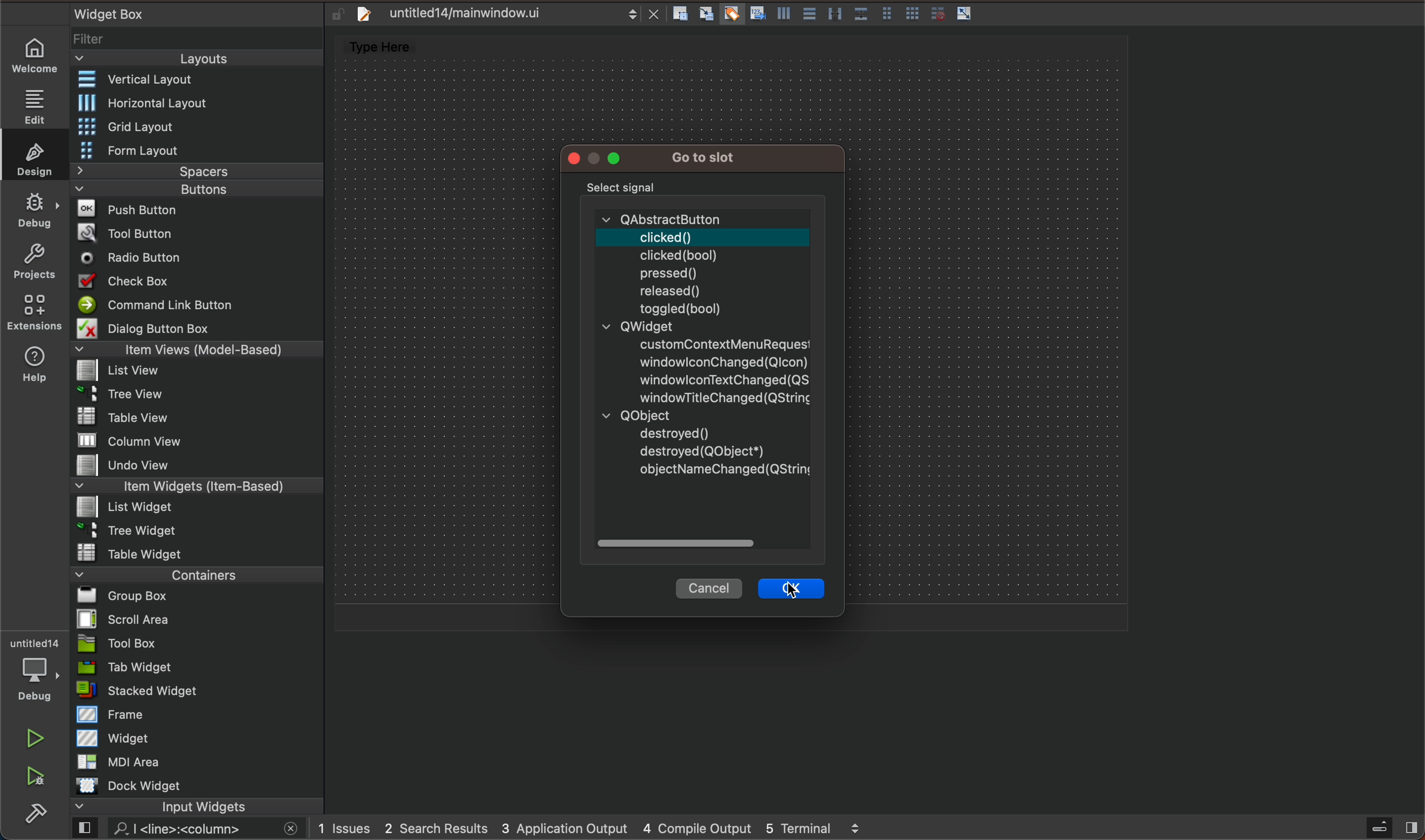 The height and width of the screenshot is (840, 1425). Describe the element at coordinates (198, 443) in the screenshot. I see `column view` at that location.